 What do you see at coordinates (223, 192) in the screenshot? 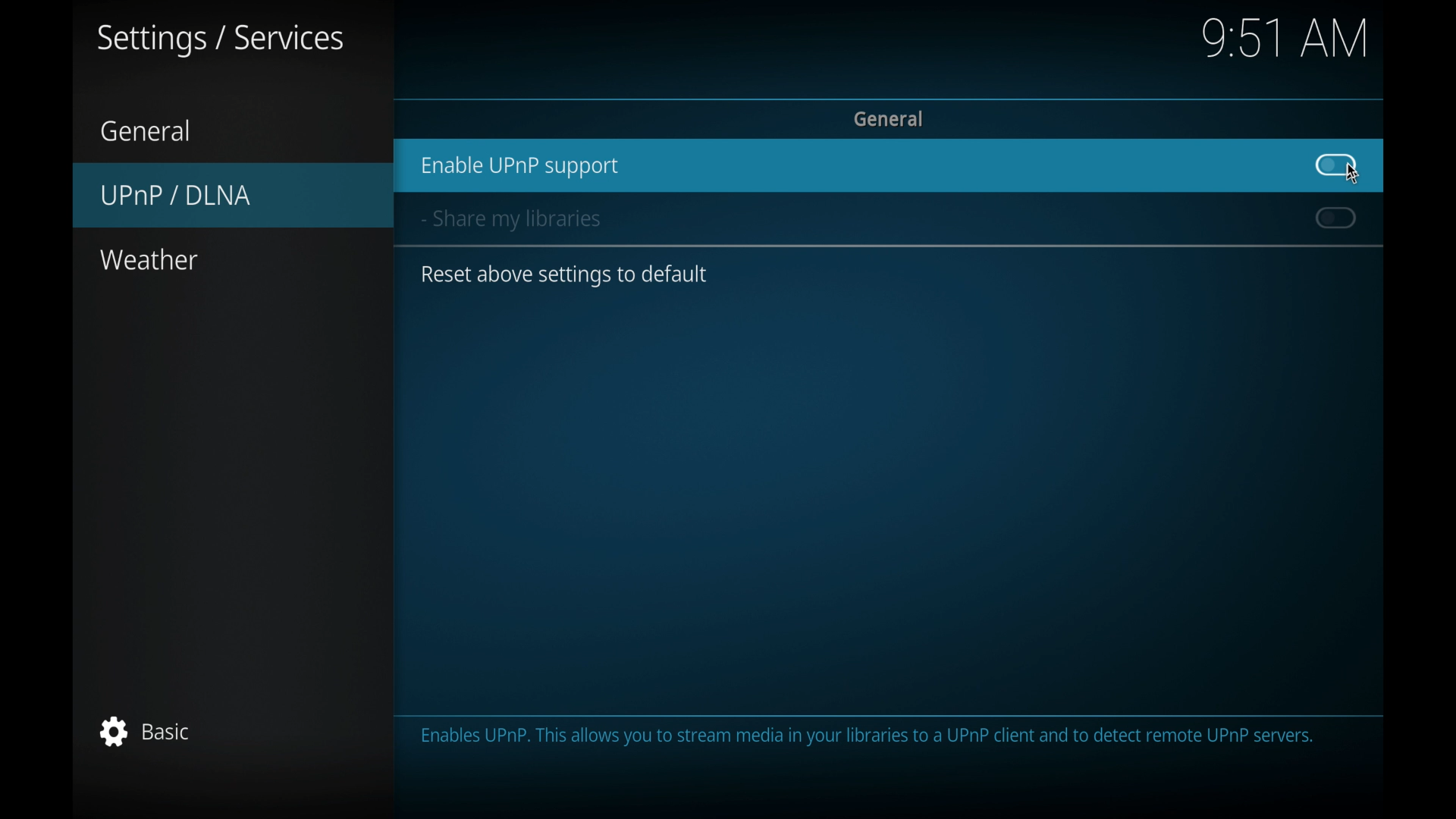
I see `UPnP/DLNA` at bounding box center [223, 192].